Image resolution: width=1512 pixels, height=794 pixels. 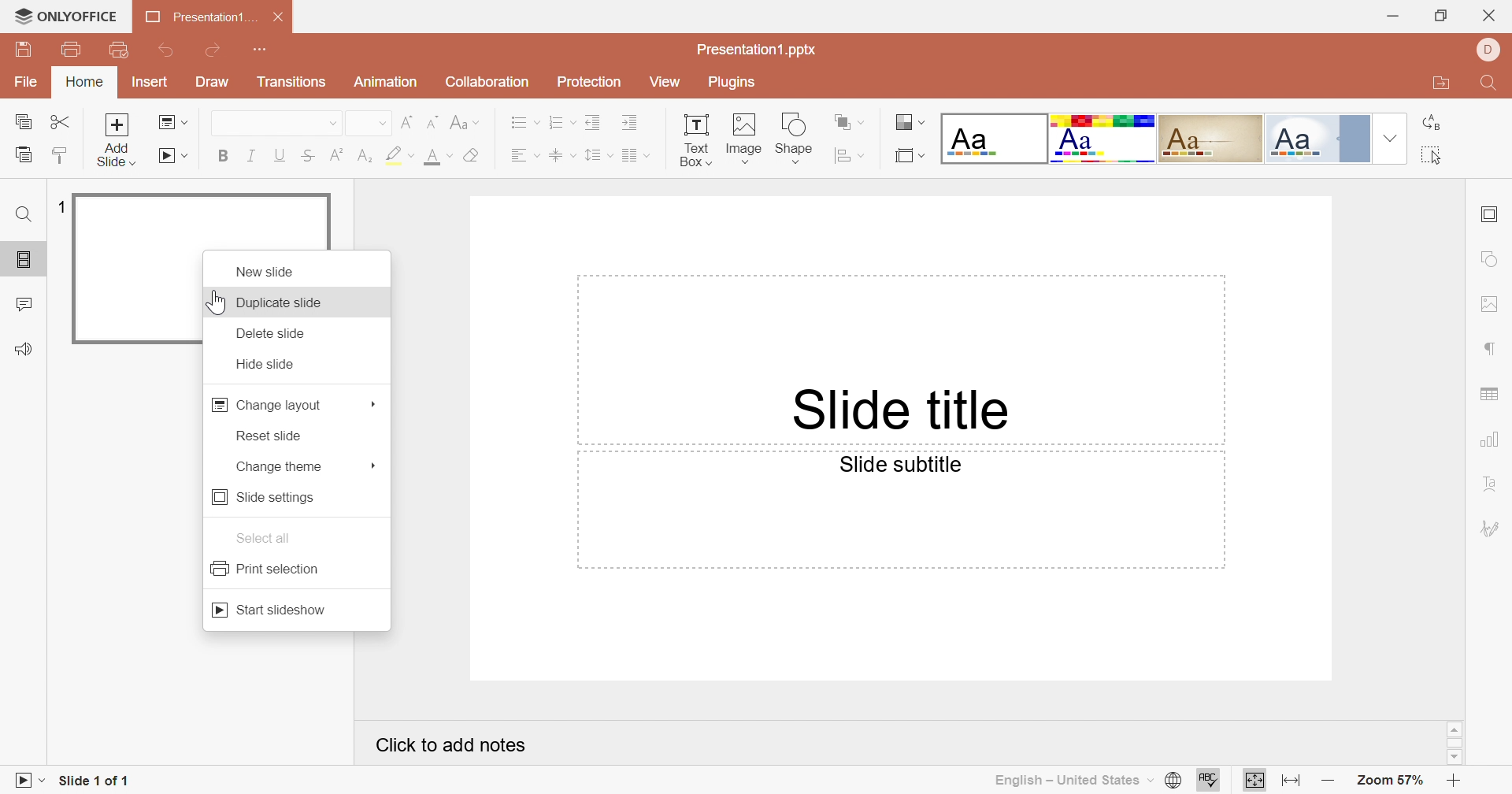 What do you see at coordinates (1255, 781) in the screenshot?
I see `Fit to width` at bounding box center [1255, 781].